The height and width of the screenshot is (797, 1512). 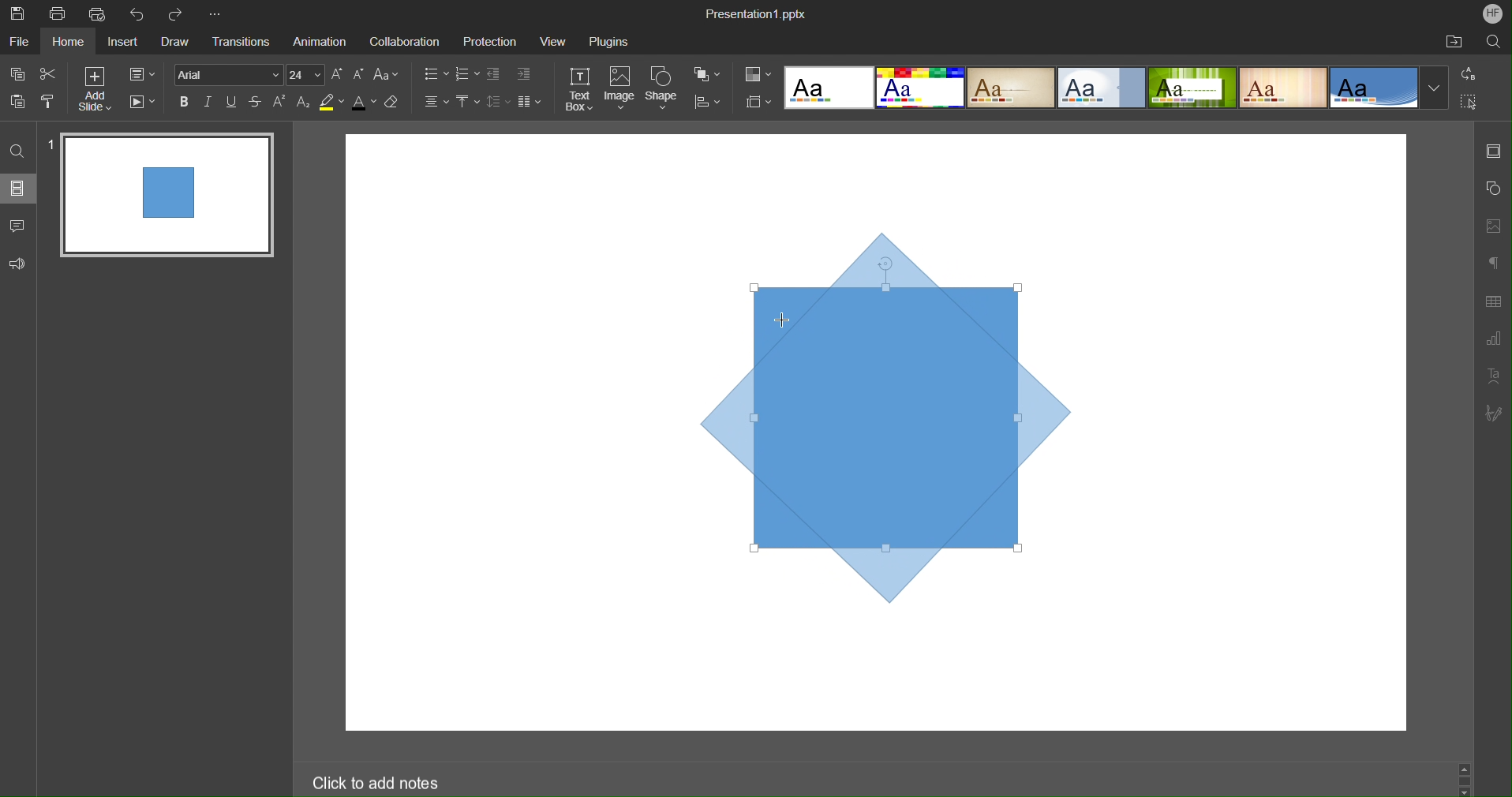 What do you see at coordinates (279, 103) in the screenshot?
I see `Superscript` at bounding box center [279, 103].